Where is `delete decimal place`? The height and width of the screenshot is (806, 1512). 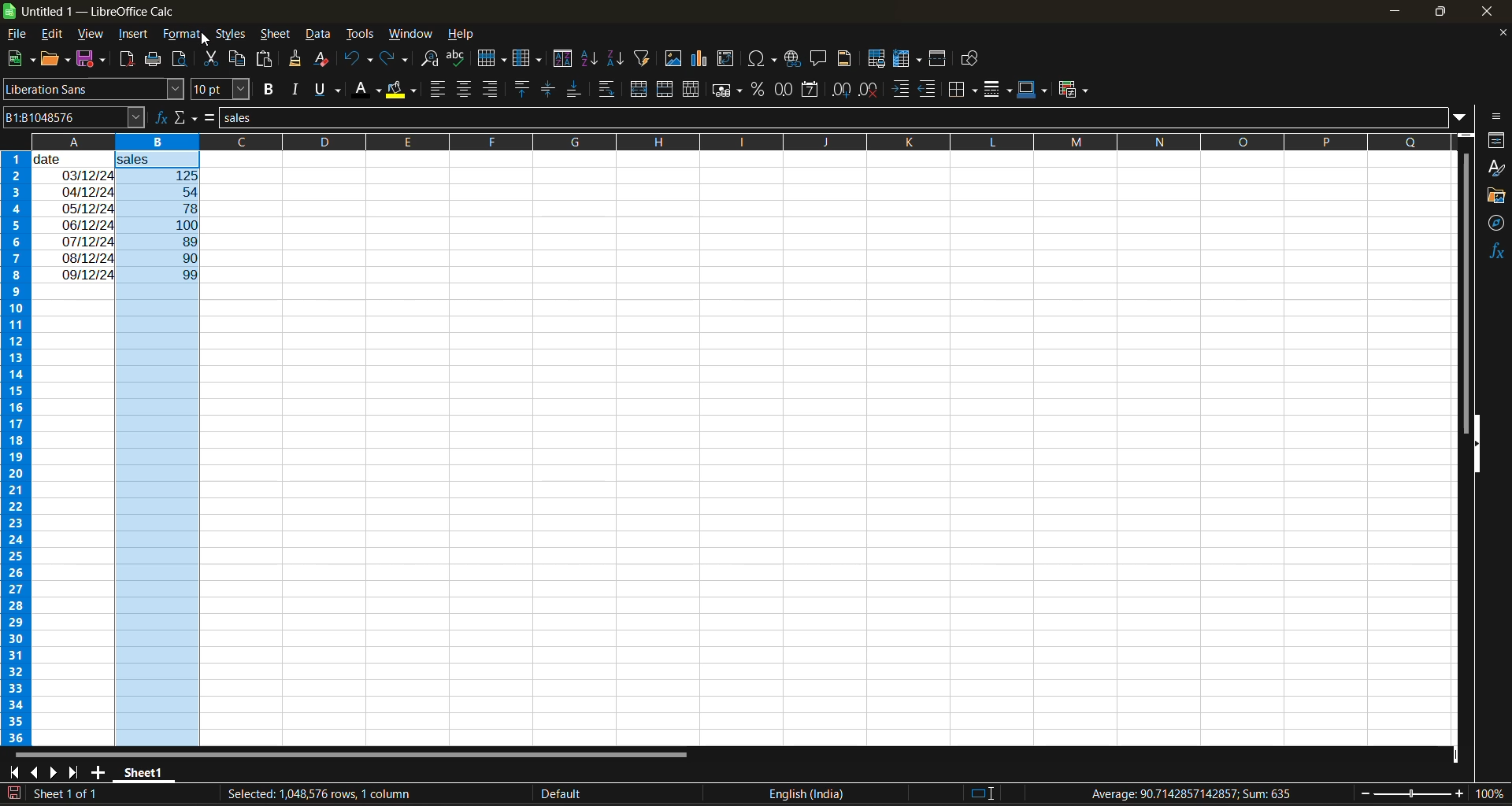
delete decimal place is located at coordinates (869, 91).